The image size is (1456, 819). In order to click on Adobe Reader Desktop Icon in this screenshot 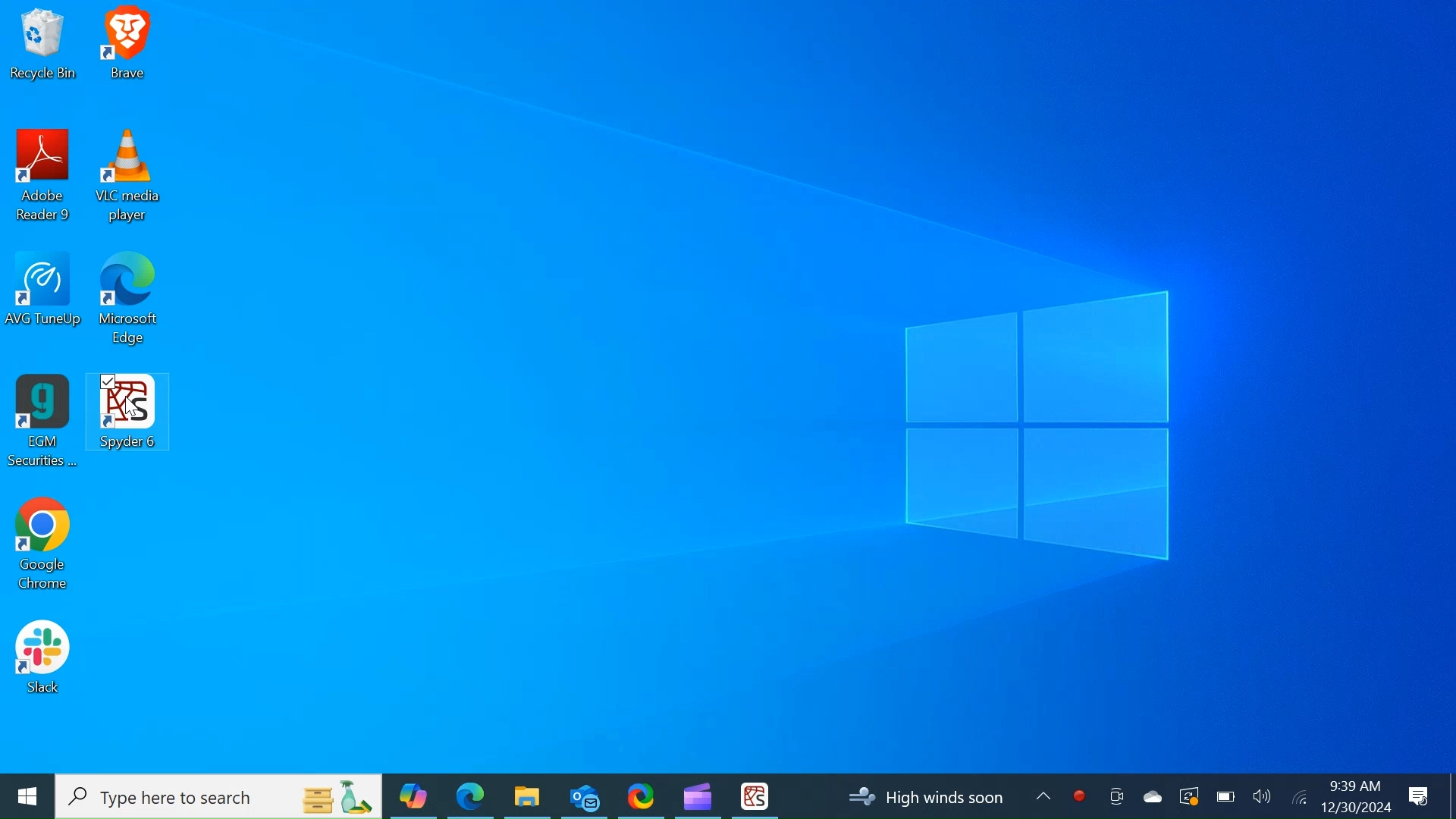, I will do `click(45, 179)`.